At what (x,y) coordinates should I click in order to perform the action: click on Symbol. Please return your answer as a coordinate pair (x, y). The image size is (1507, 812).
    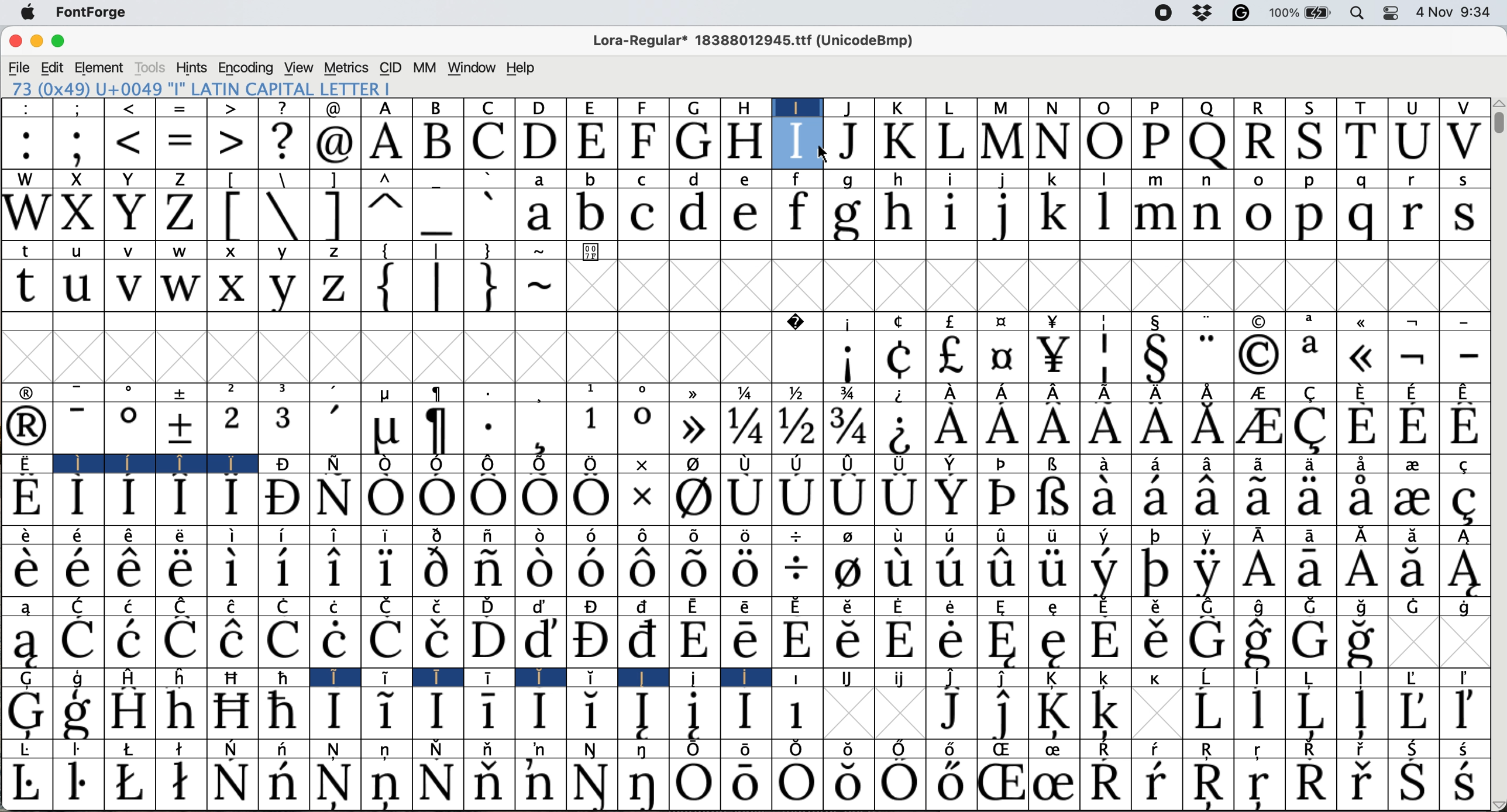
    Looking at the image, I should click on (1108, 749).